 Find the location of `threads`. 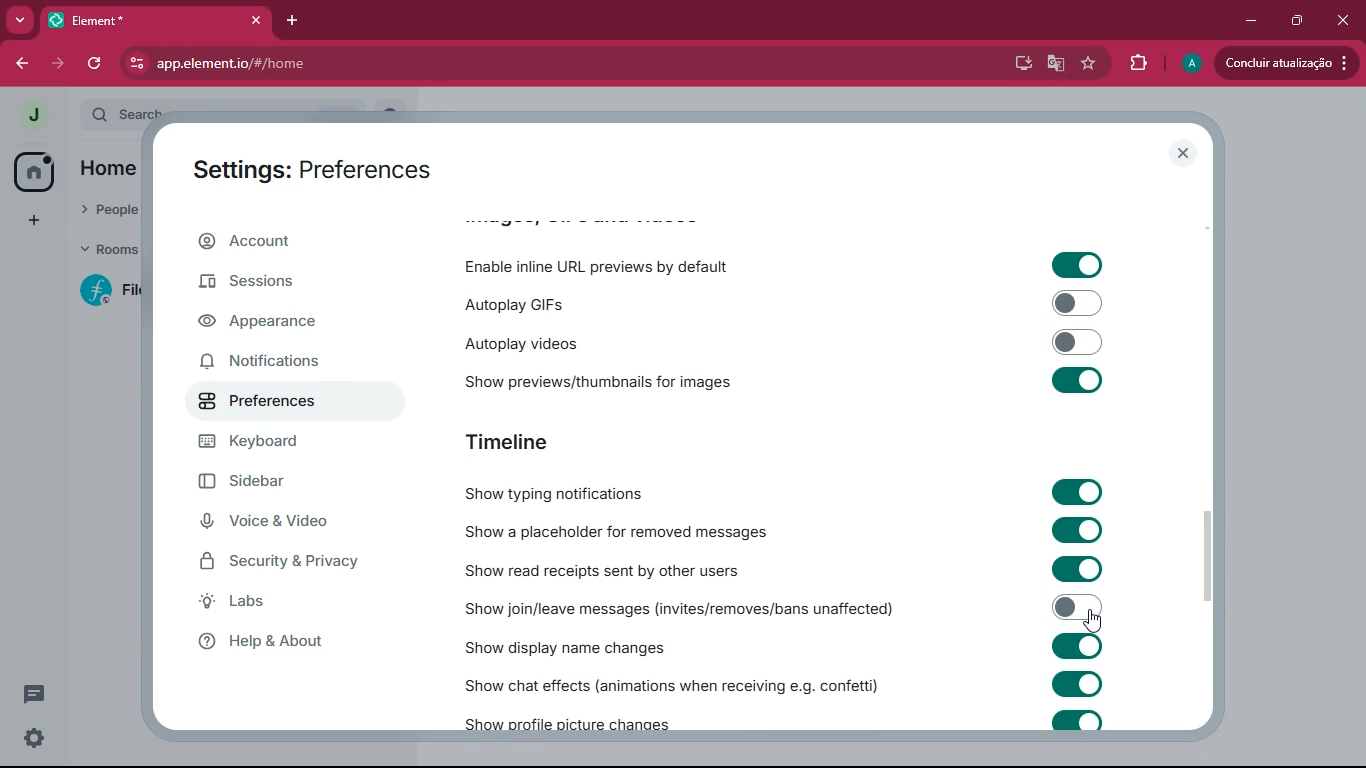

threads is located at coordinates (34, 694).